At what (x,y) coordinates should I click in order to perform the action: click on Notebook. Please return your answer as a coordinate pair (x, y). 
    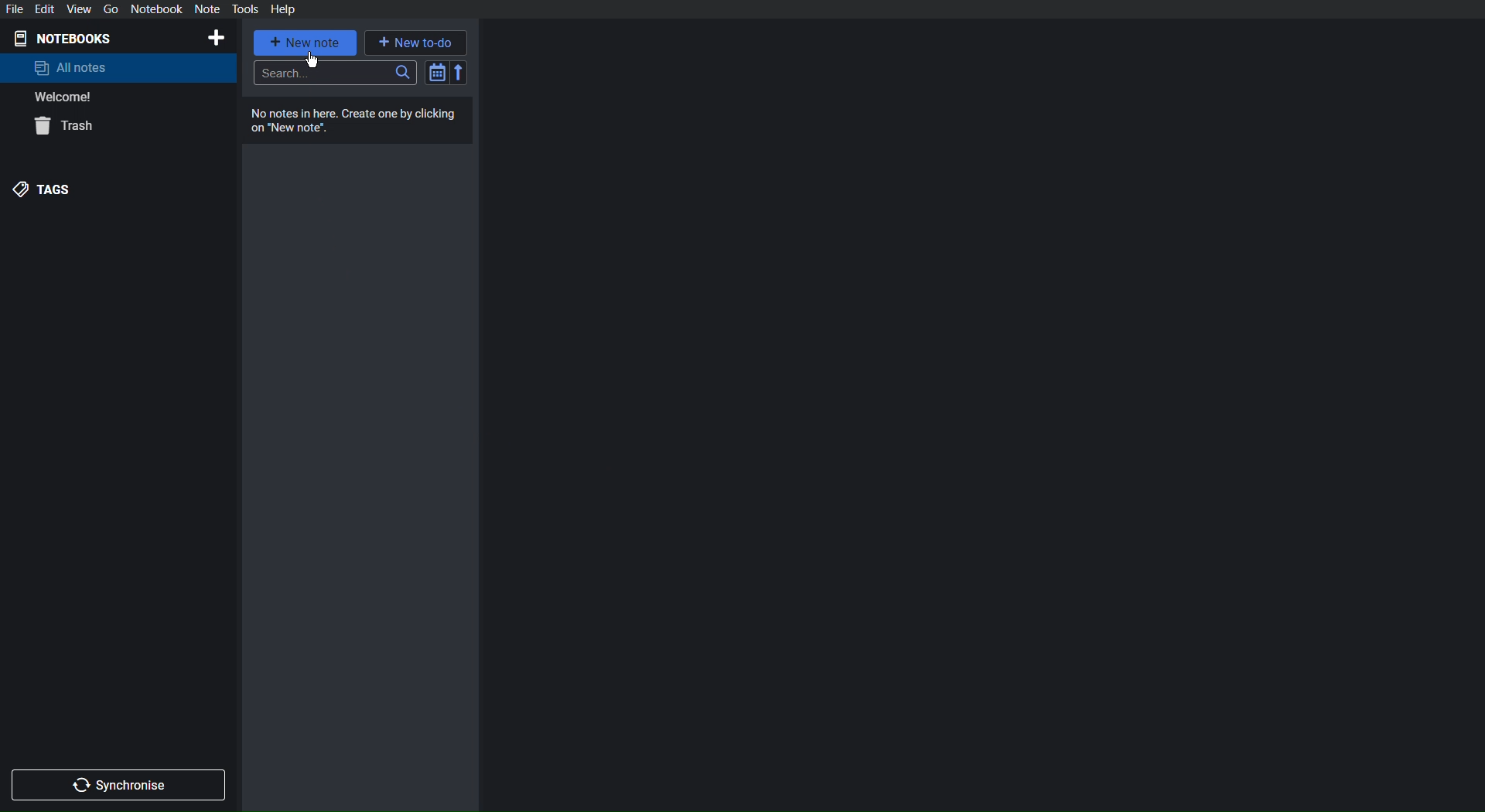
    Looking at the image, I should click on (156, 9).